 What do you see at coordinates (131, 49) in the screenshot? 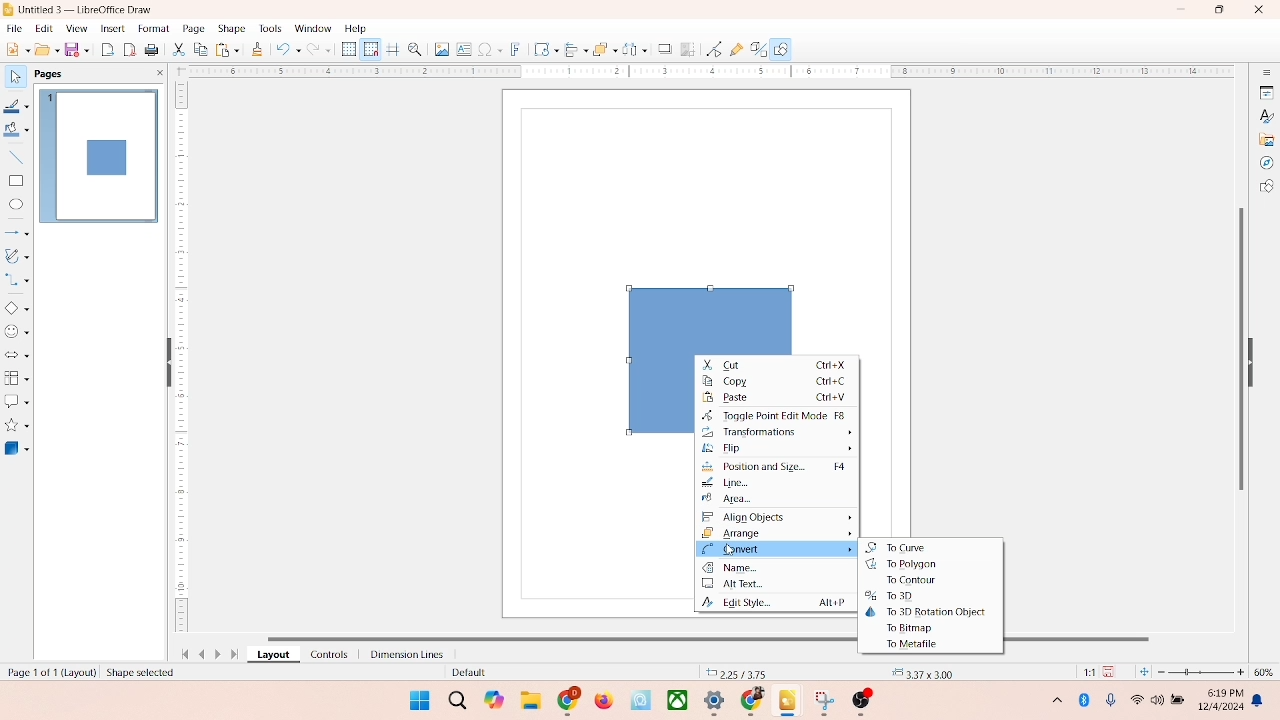
I see `export directly as PDF` at bounding box center [131, 49].